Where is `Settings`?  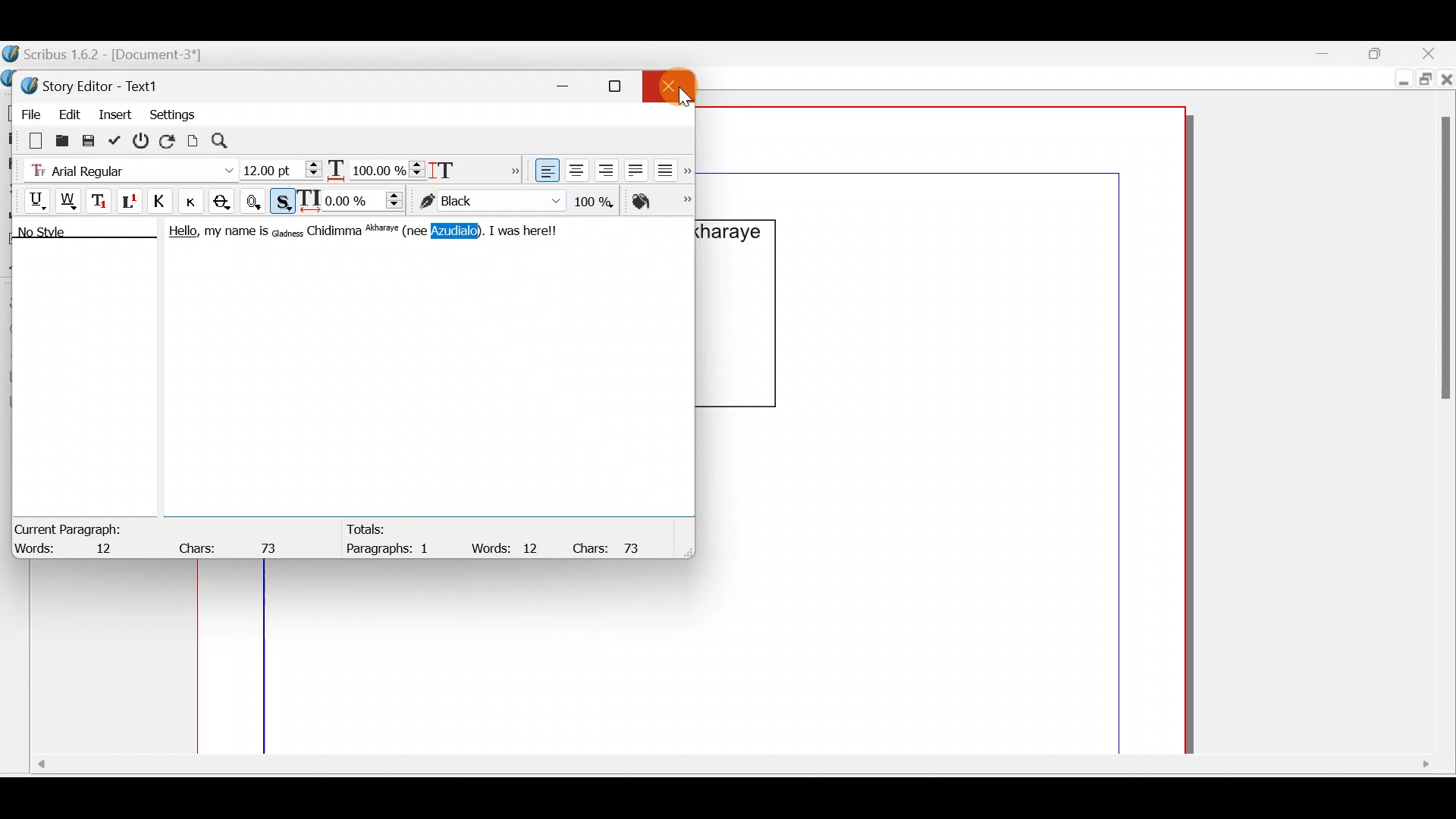 Settings is located at coordinates (172, 113).